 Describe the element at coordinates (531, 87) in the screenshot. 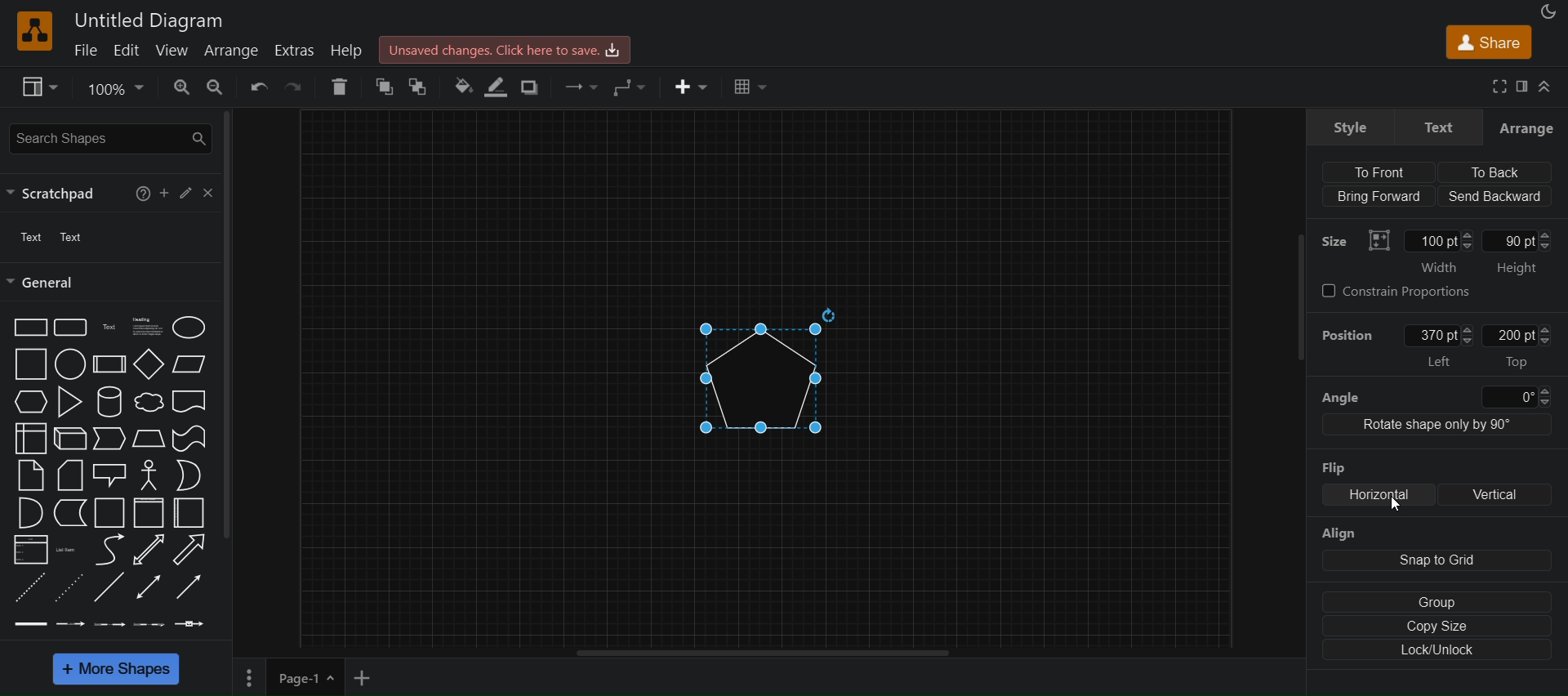

I see `shadow` at that location.